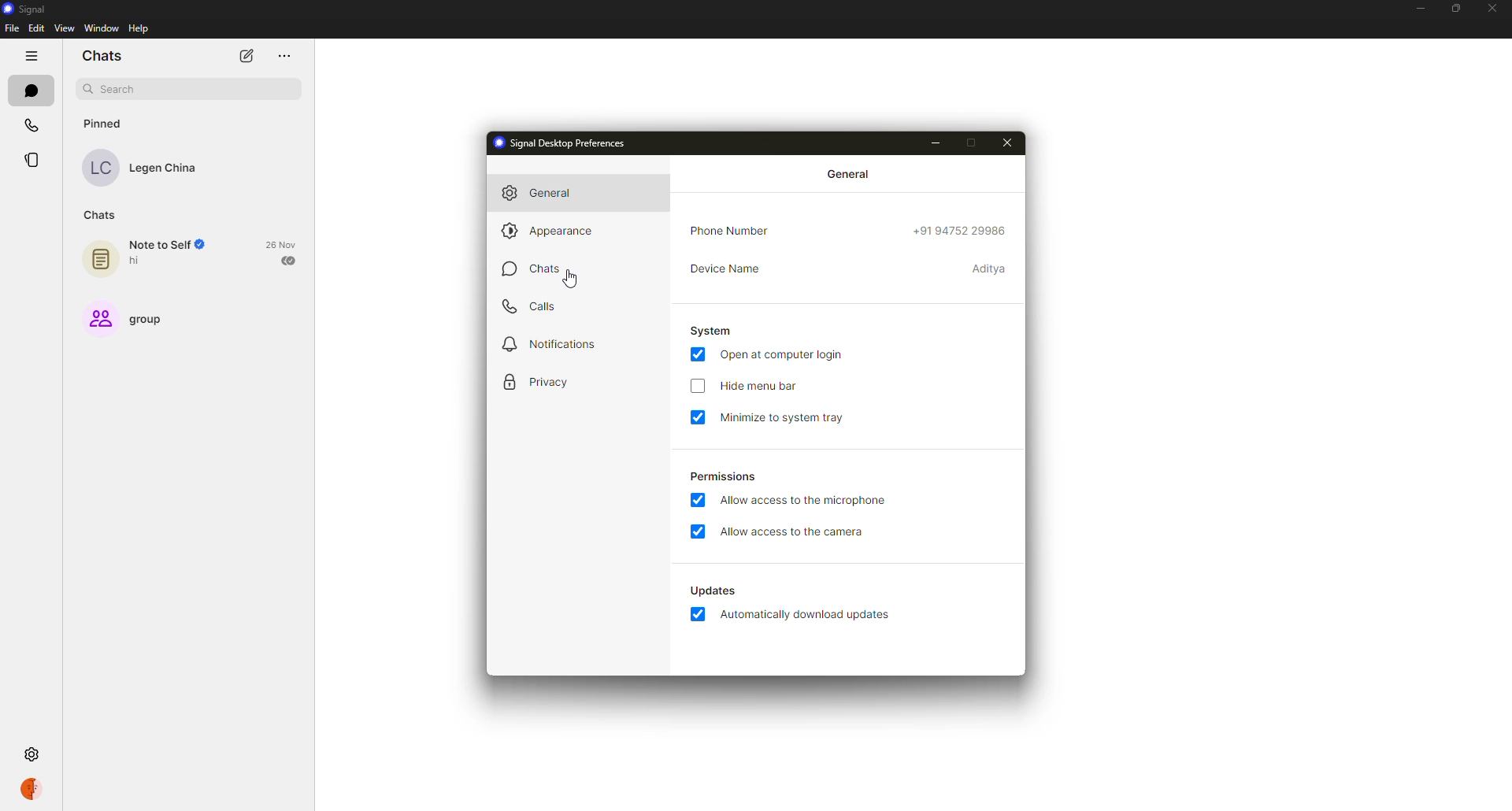 The height and width of the screenshot is (811, 1512). Describe the element at coordinates (732, 270) in the screenshot. I see `device name` at that location.